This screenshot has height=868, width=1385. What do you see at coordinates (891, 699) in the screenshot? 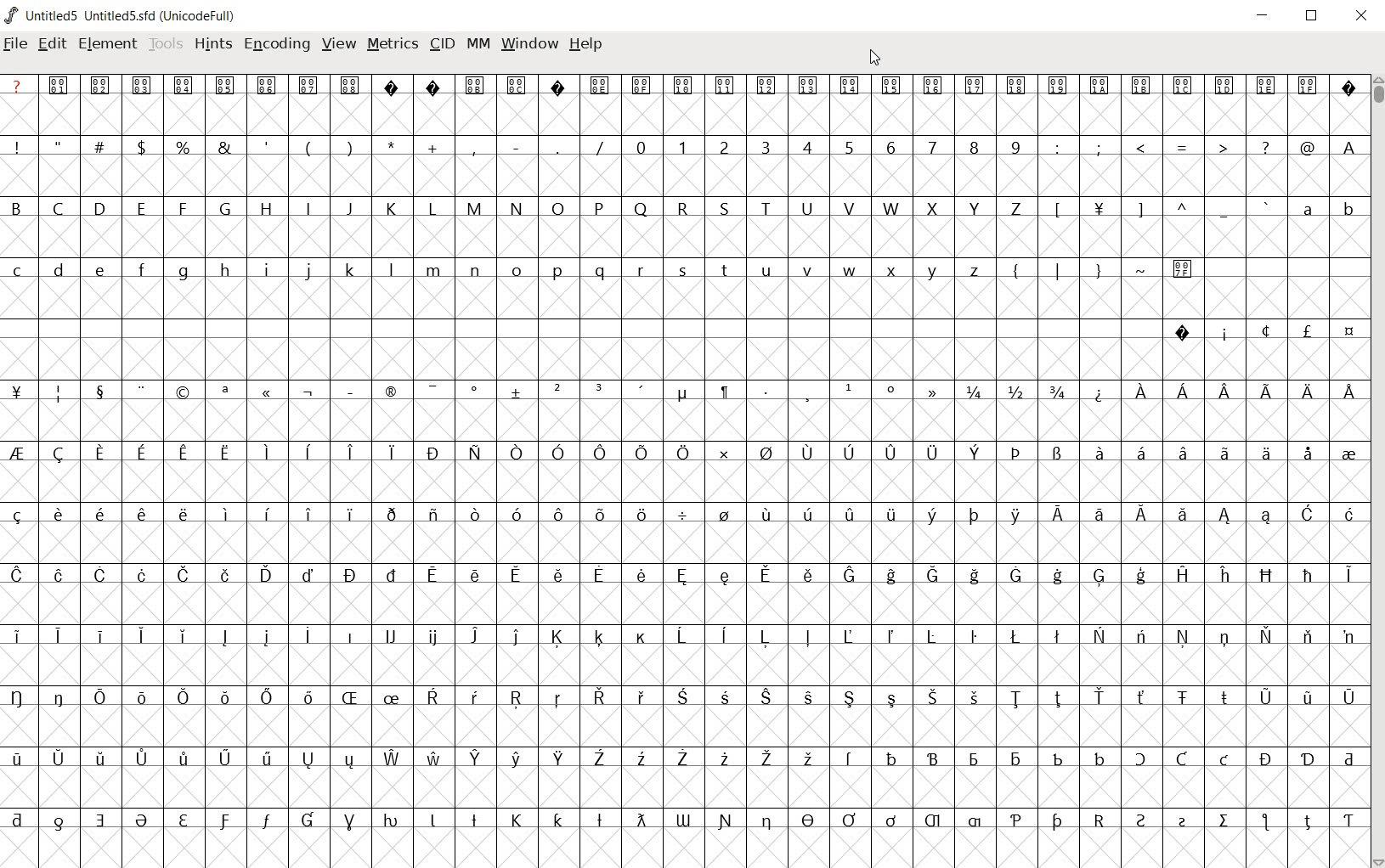
I see `Symbol` at bounding box center [891, 699].